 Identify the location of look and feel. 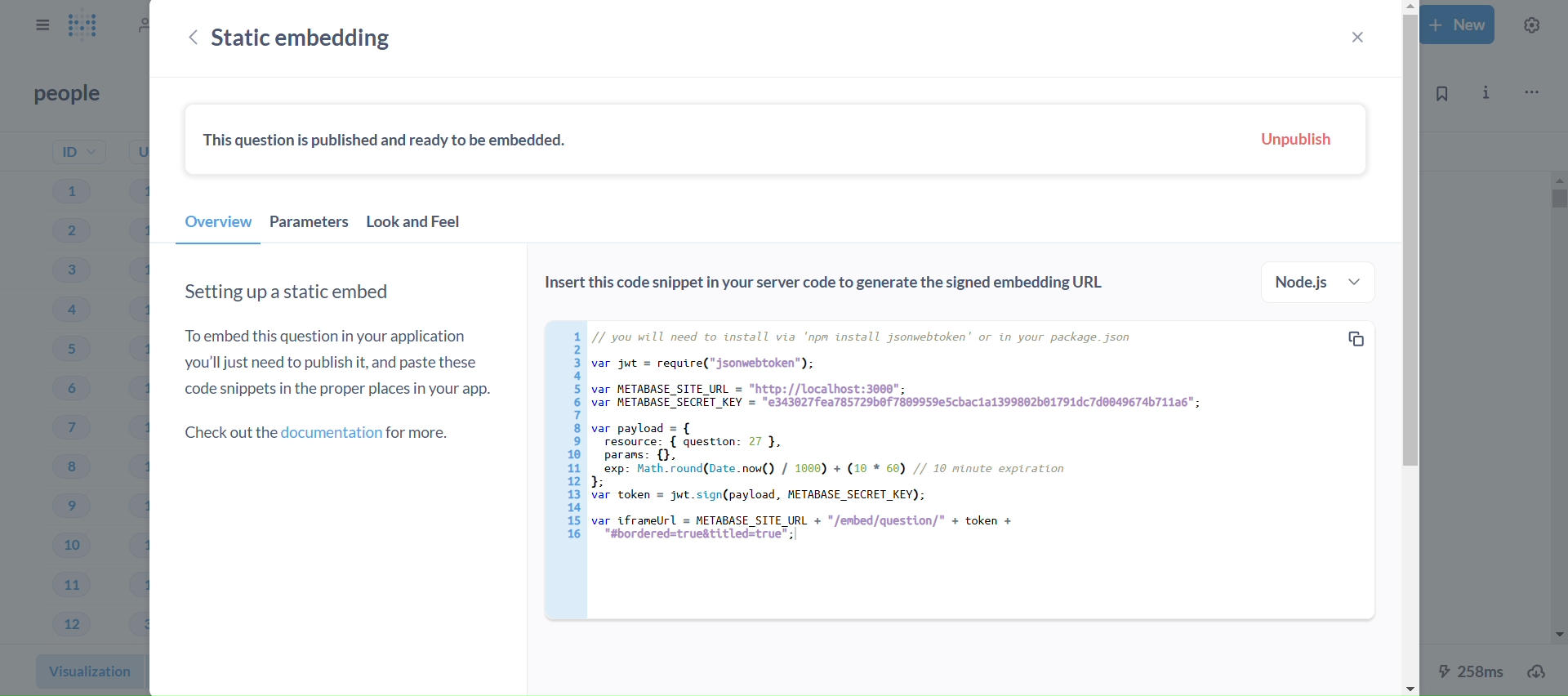
(425, 226).